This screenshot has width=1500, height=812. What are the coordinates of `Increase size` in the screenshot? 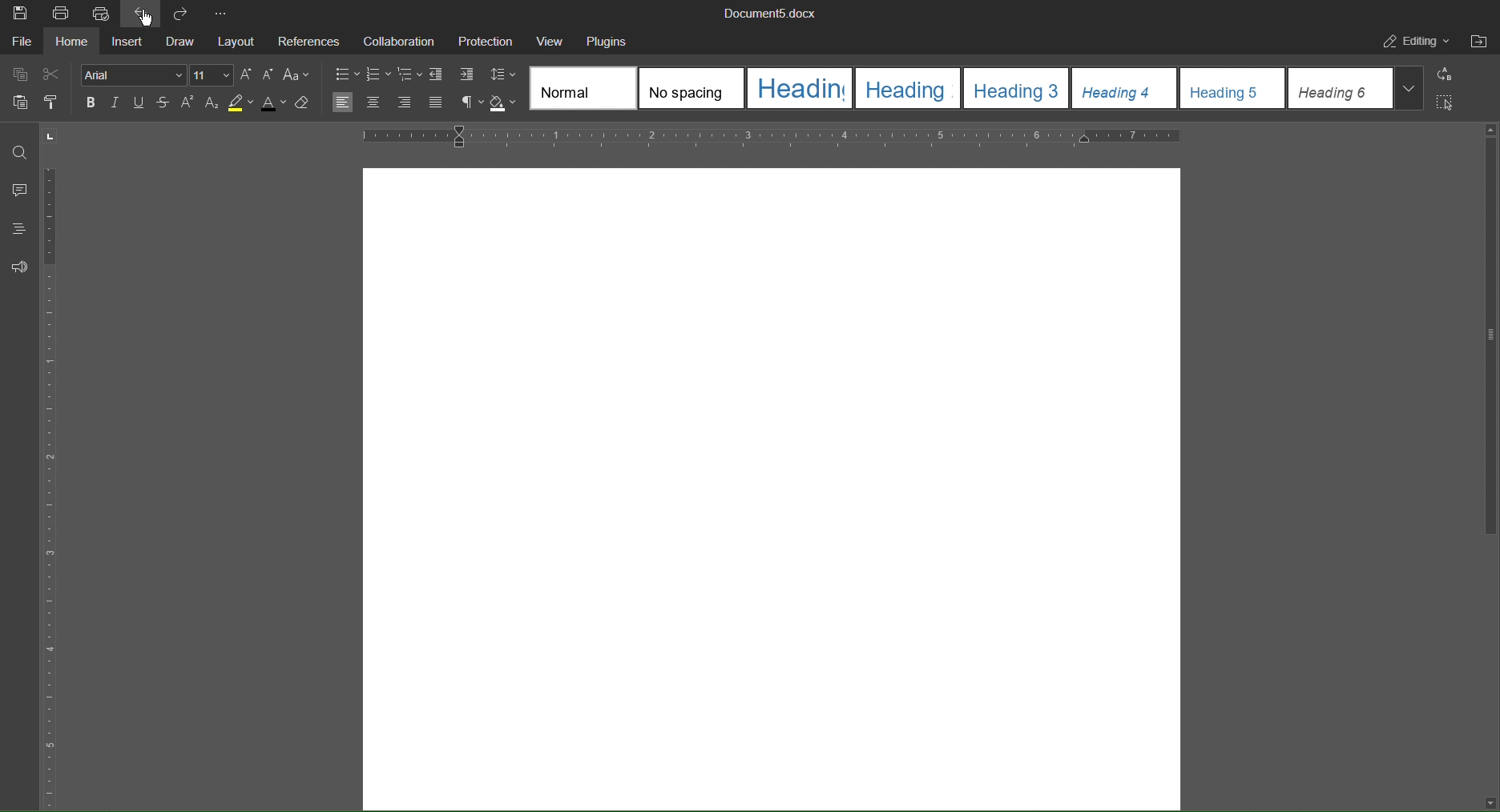 It's located at (247, 74).